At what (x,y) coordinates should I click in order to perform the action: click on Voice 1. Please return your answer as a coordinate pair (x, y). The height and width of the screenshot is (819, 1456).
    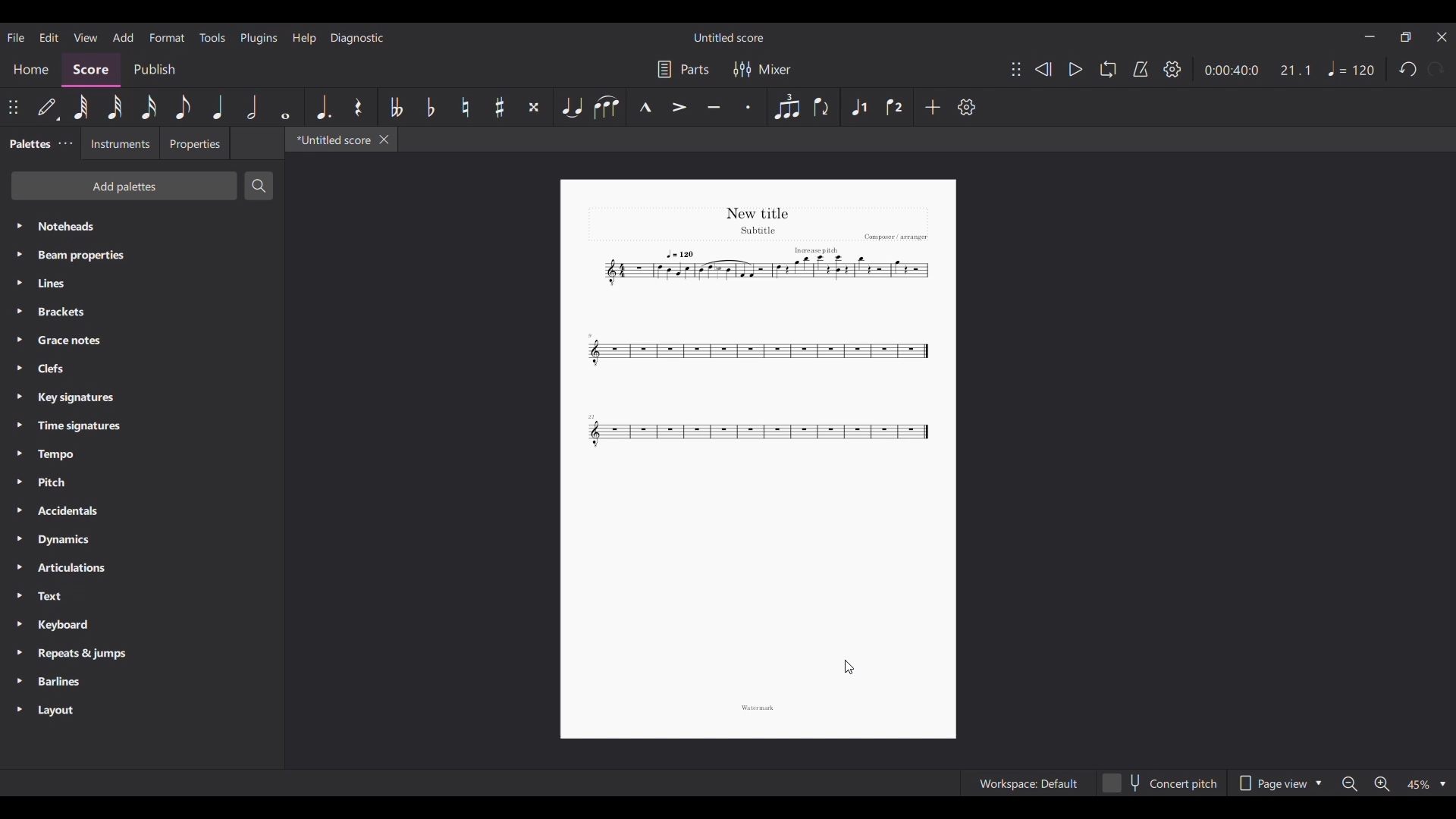
    Looking at the image, I should click on (858, 107).